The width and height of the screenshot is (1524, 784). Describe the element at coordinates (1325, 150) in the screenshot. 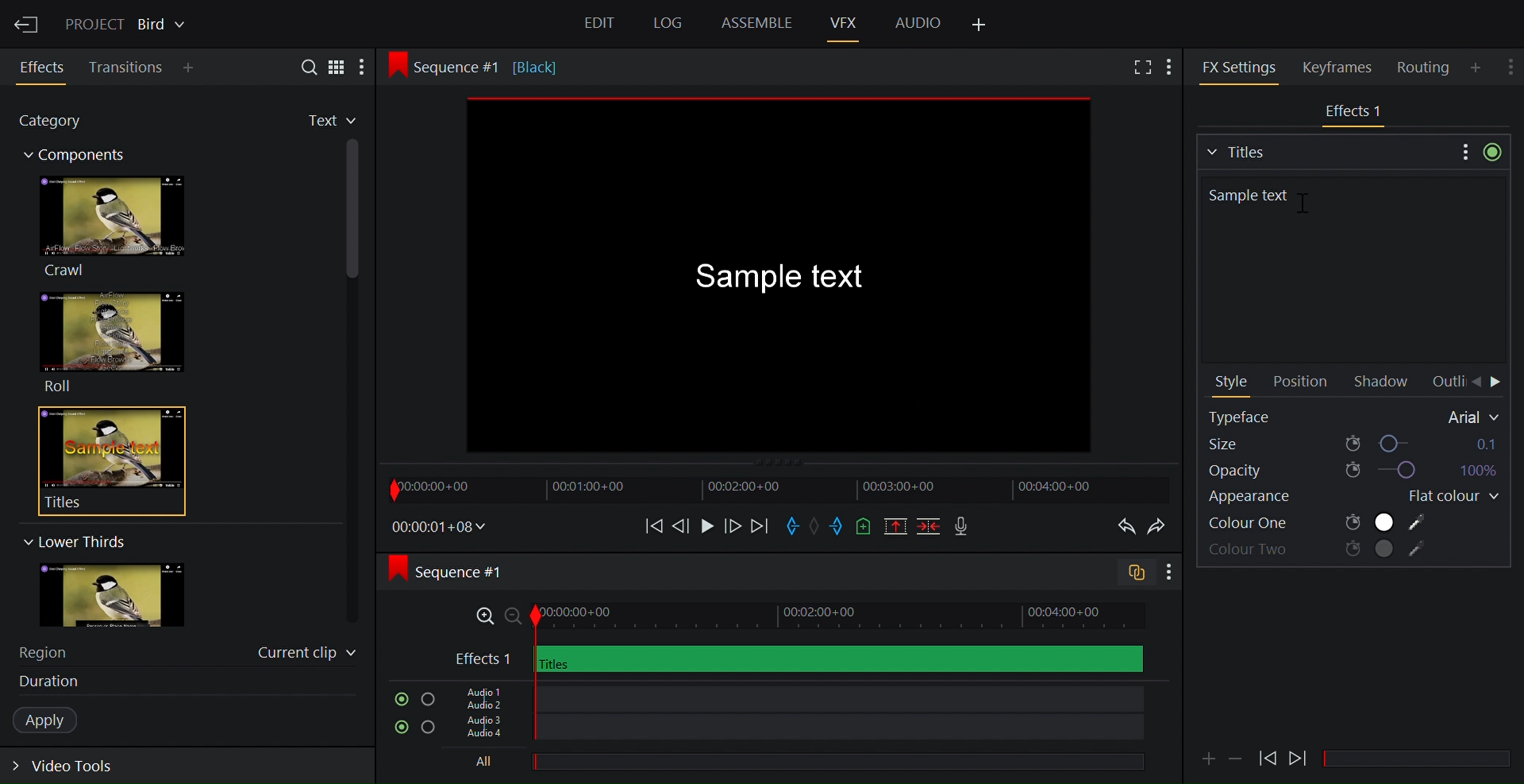

I see `Titles` at that location.